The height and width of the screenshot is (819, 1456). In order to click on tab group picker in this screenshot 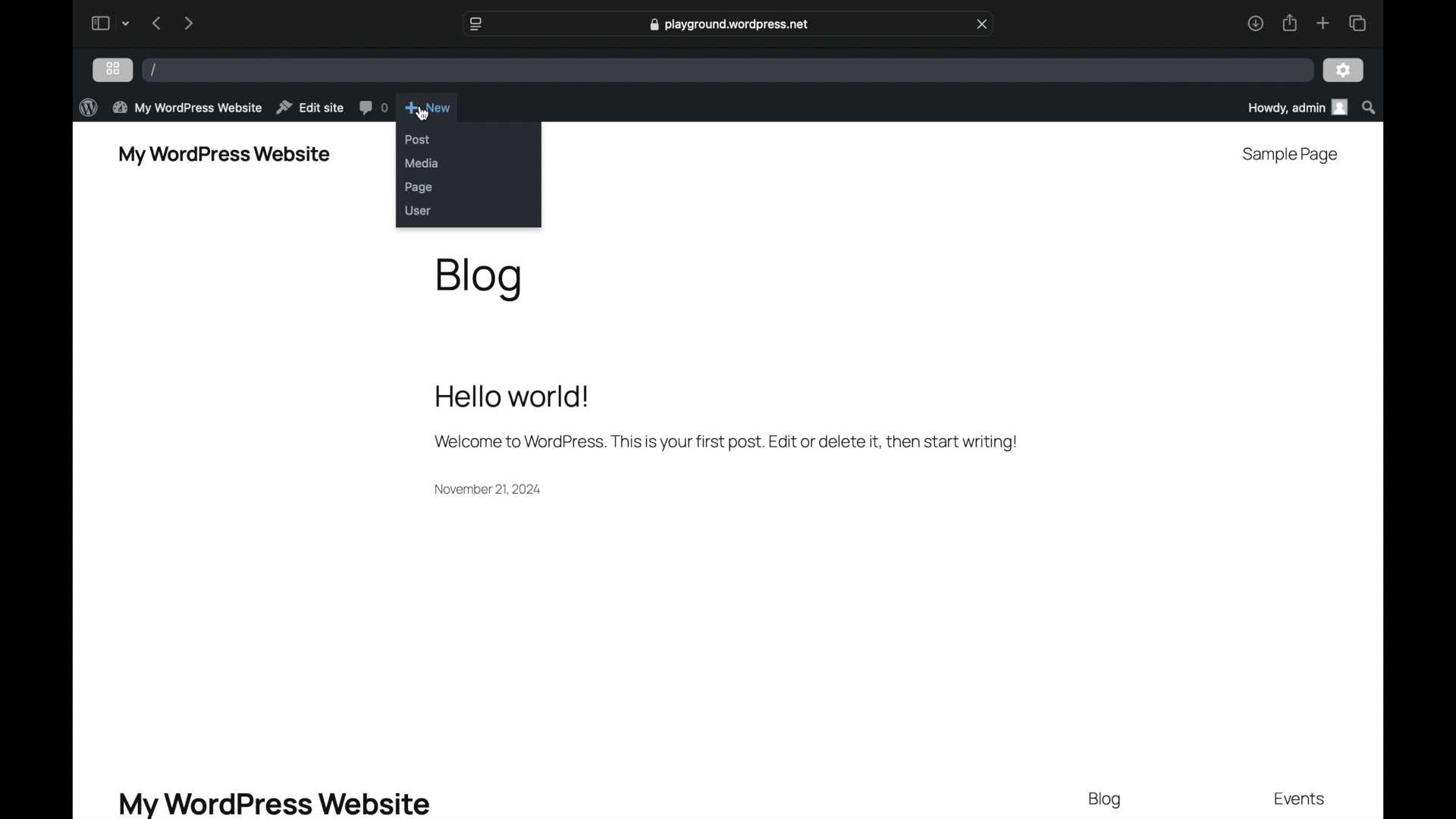, I will do `click(127, 23)`.